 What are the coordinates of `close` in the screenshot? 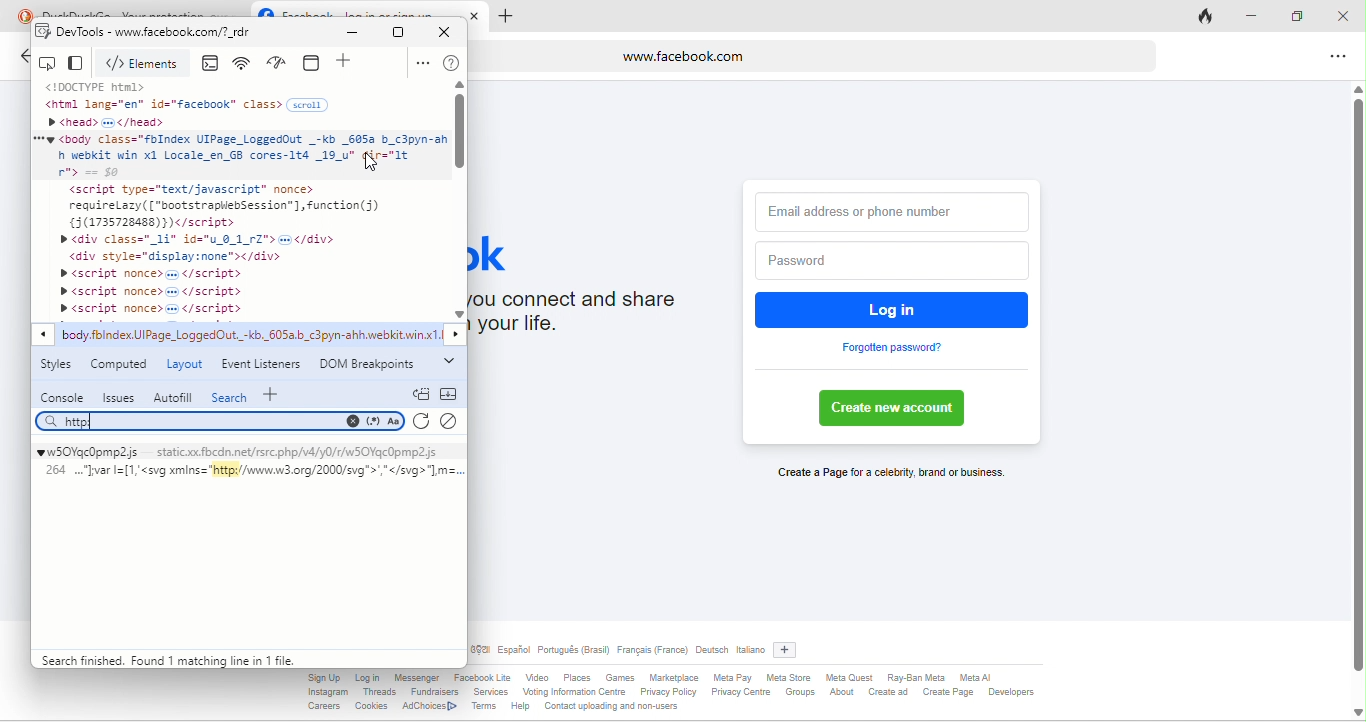 It's located at (1346, 14).